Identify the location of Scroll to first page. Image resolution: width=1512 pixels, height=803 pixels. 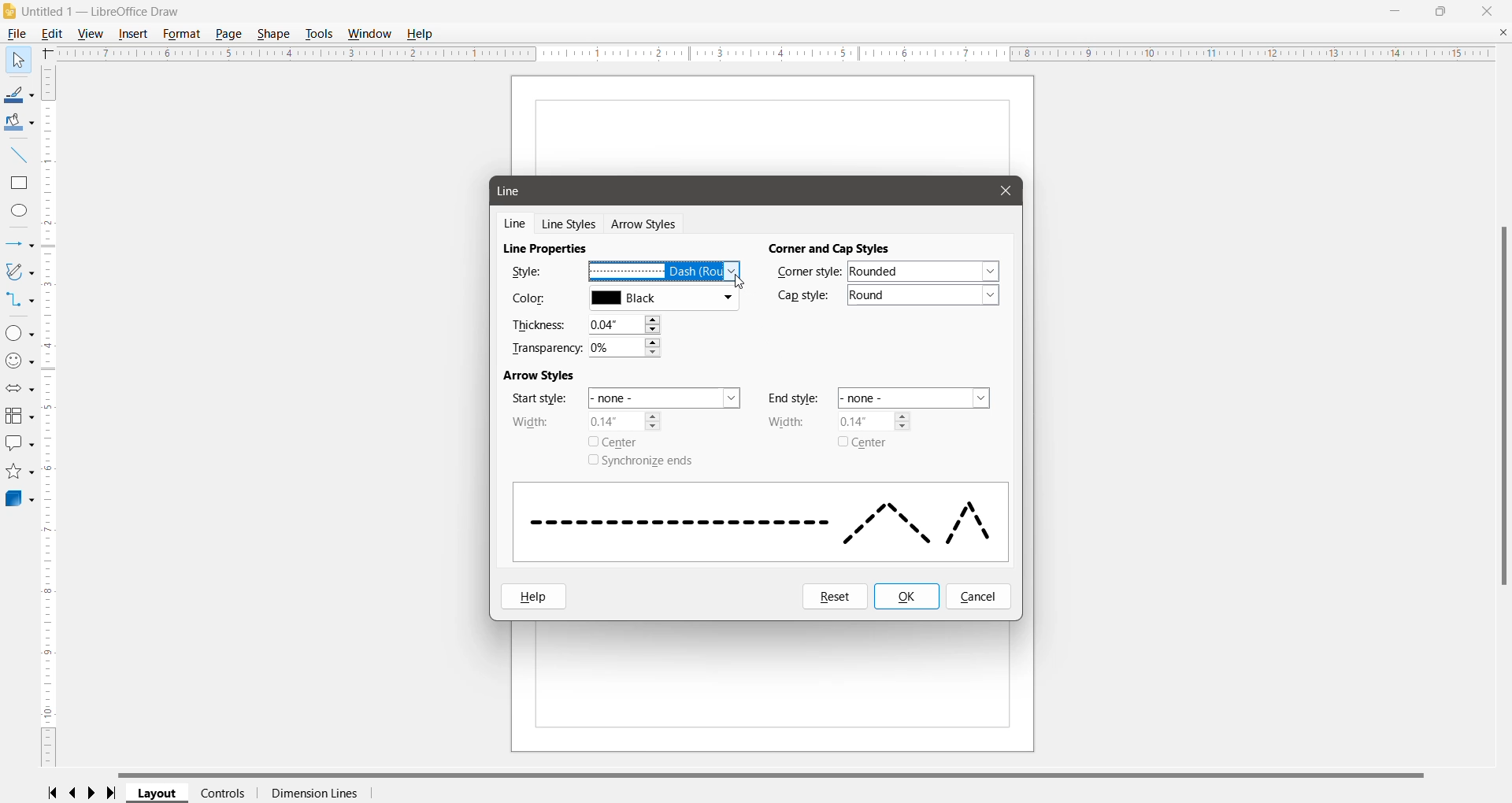
(54, 793).